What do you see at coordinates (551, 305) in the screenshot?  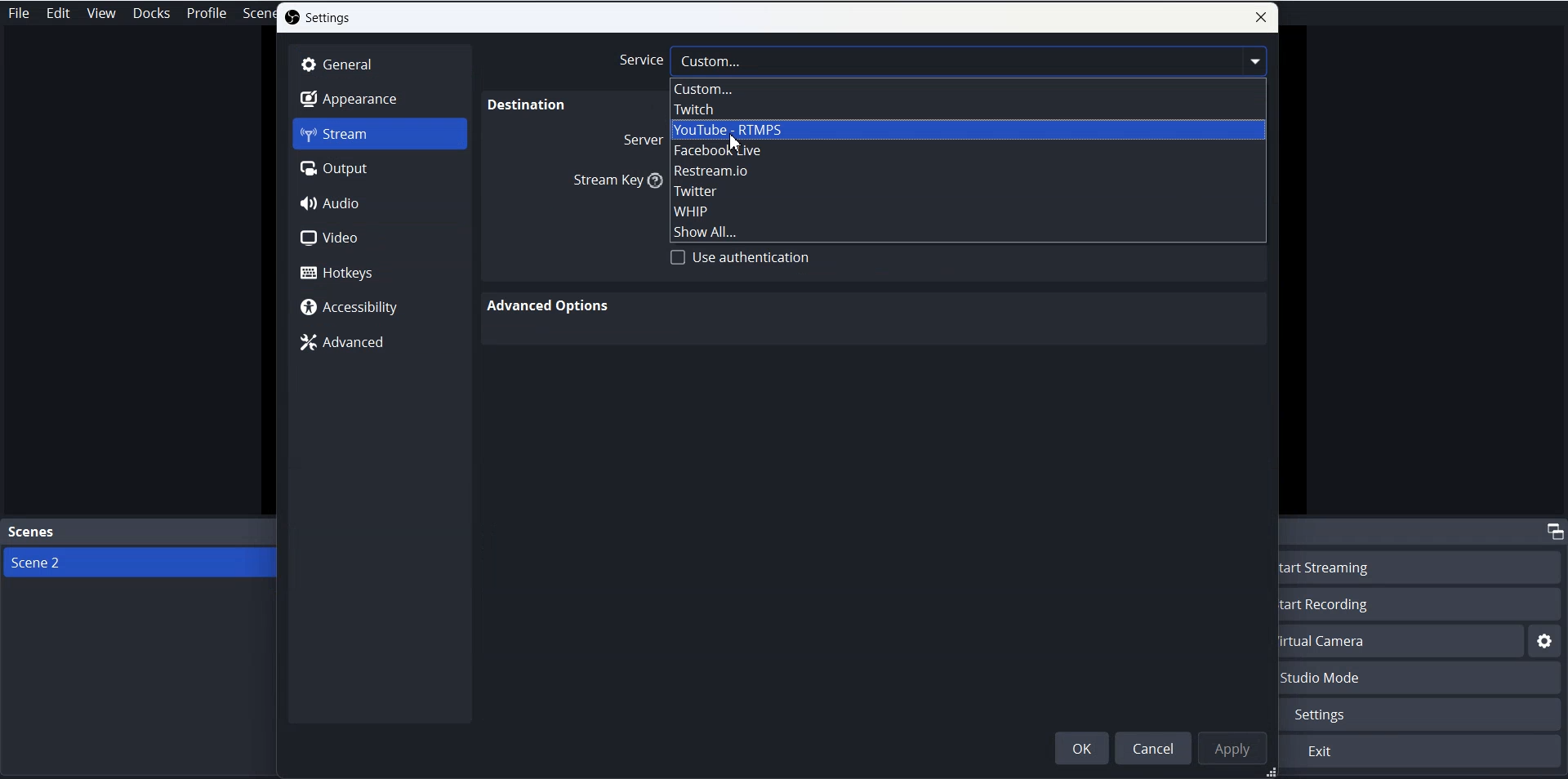 I see `Advanced options` at bounding box center [551, 305].